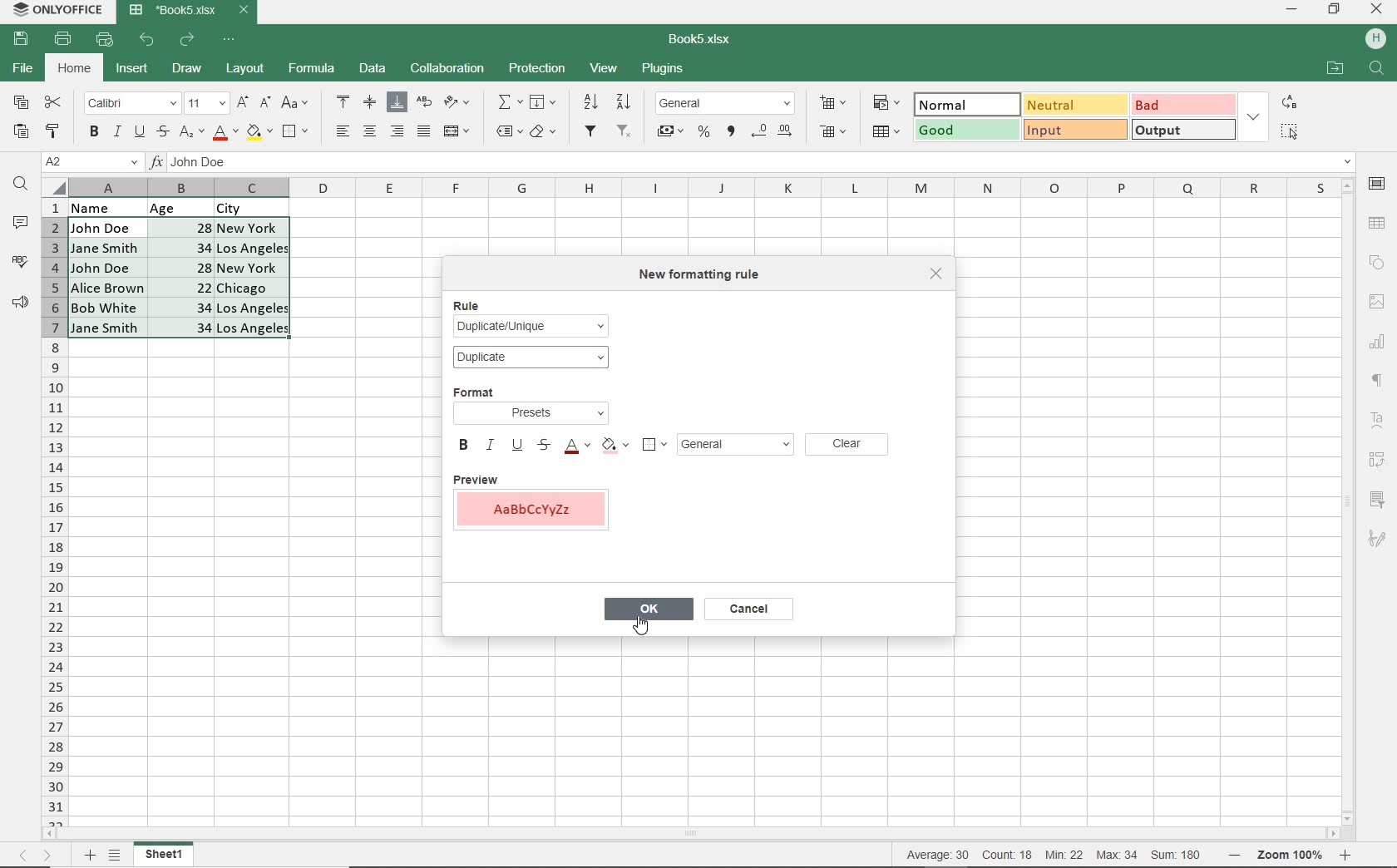 The height and width of the screenshot is (868, 1397). I want to click on max, so click(1116, 855).